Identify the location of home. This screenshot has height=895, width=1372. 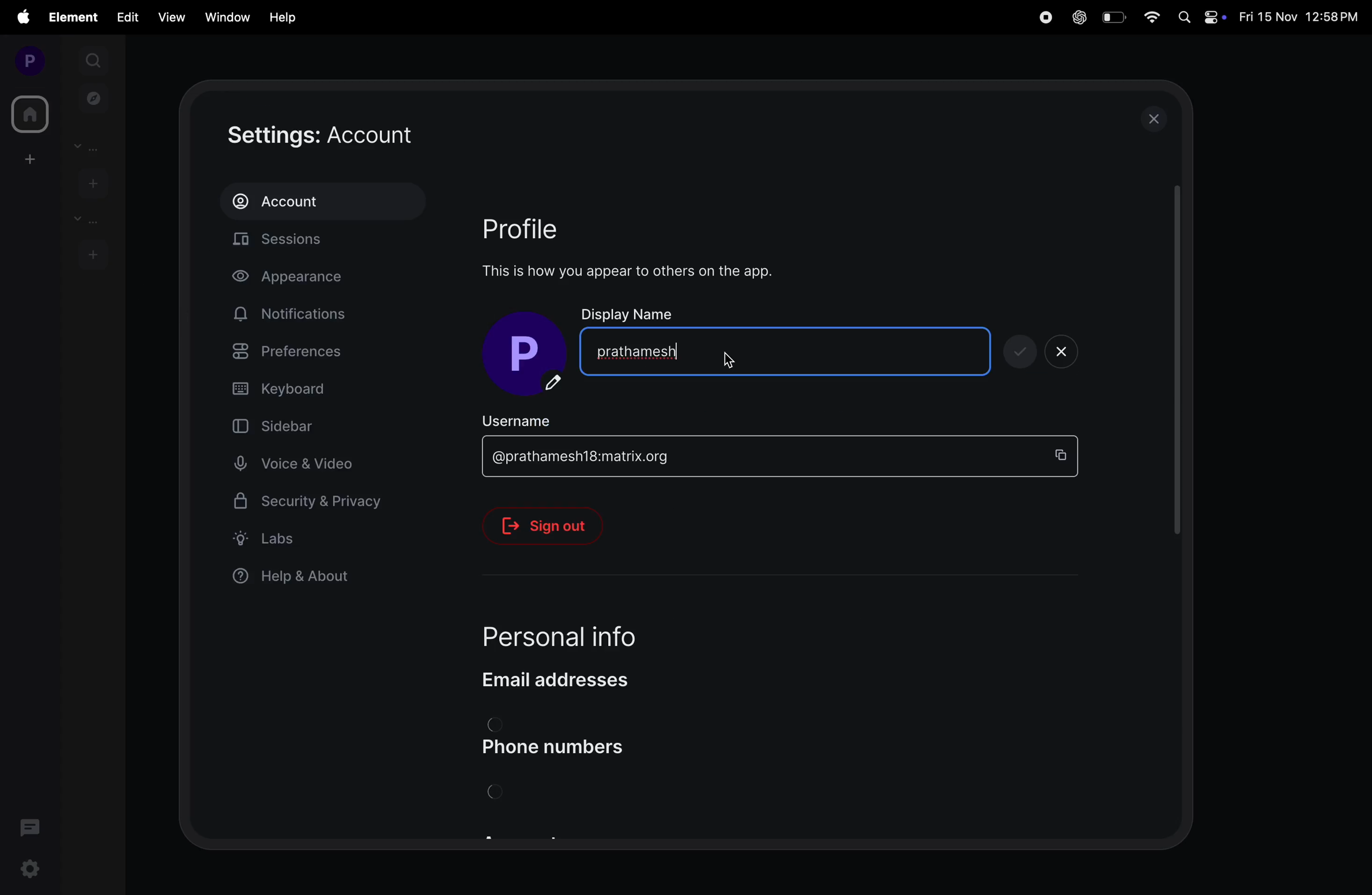
(28, 114).